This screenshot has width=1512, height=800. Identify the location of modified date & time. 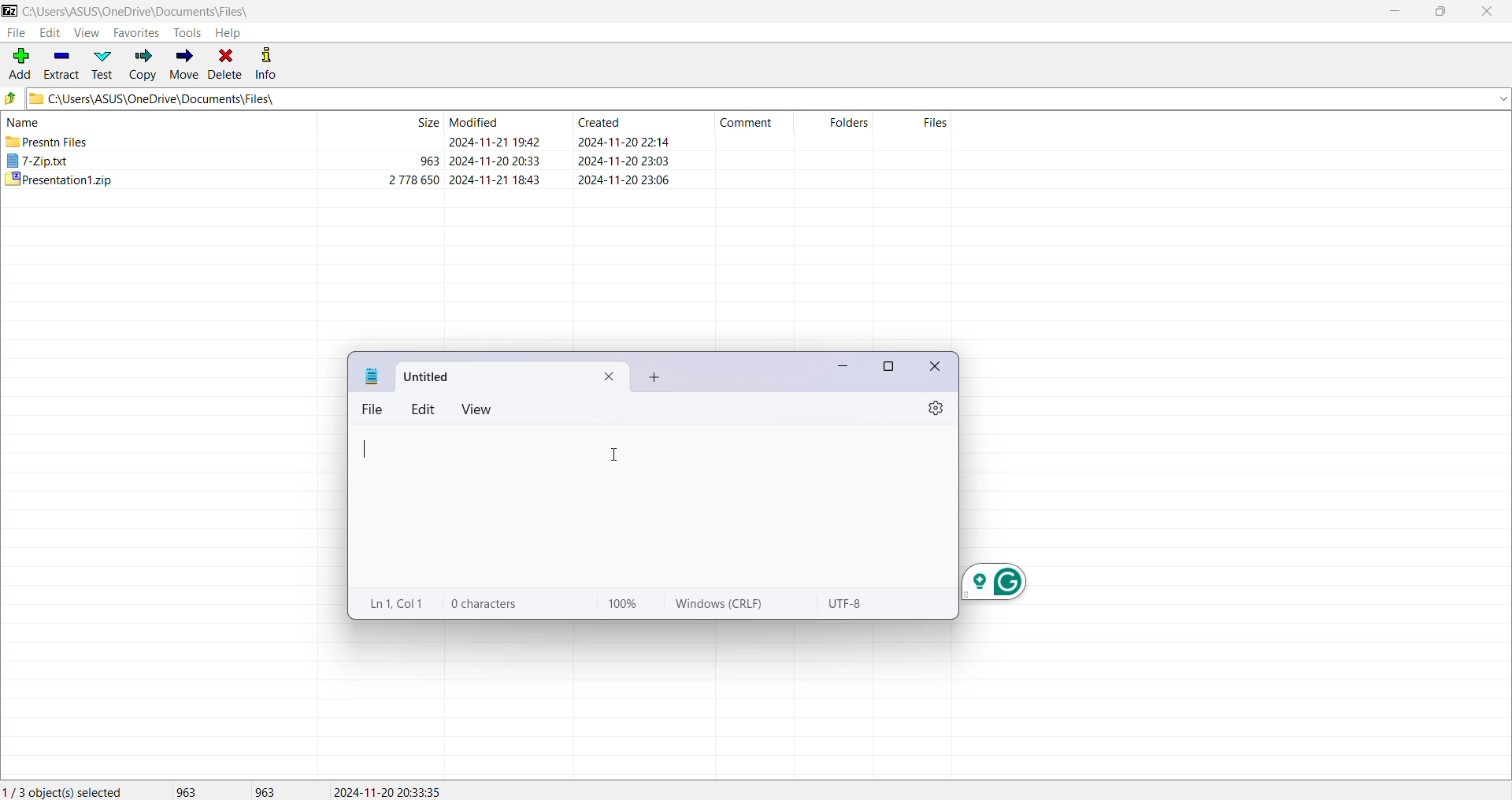
(495, 180).